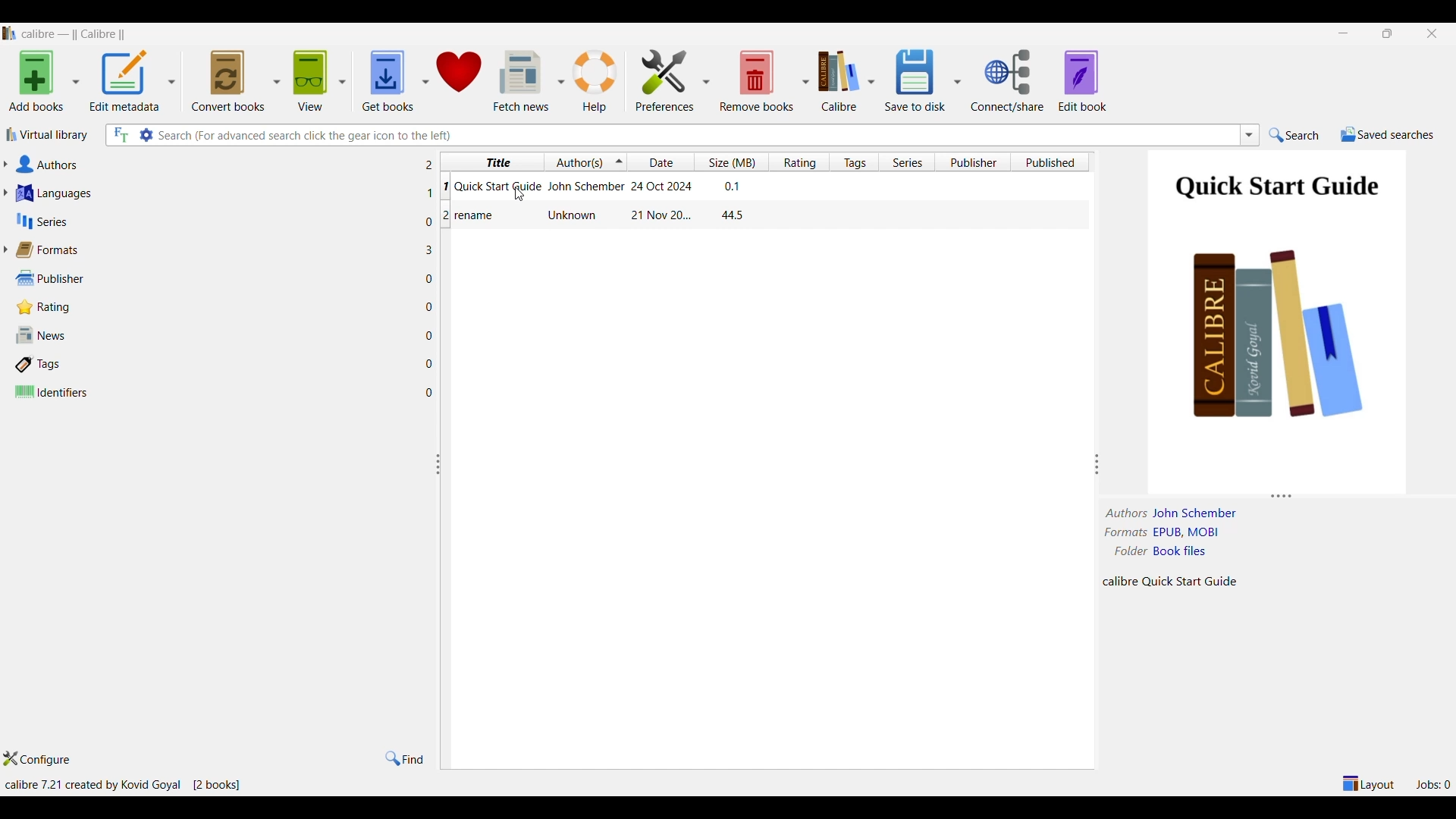 Image resolution: width=1456 pixels, height=819 pixels. I want to click on Add books, so click(36, 81).